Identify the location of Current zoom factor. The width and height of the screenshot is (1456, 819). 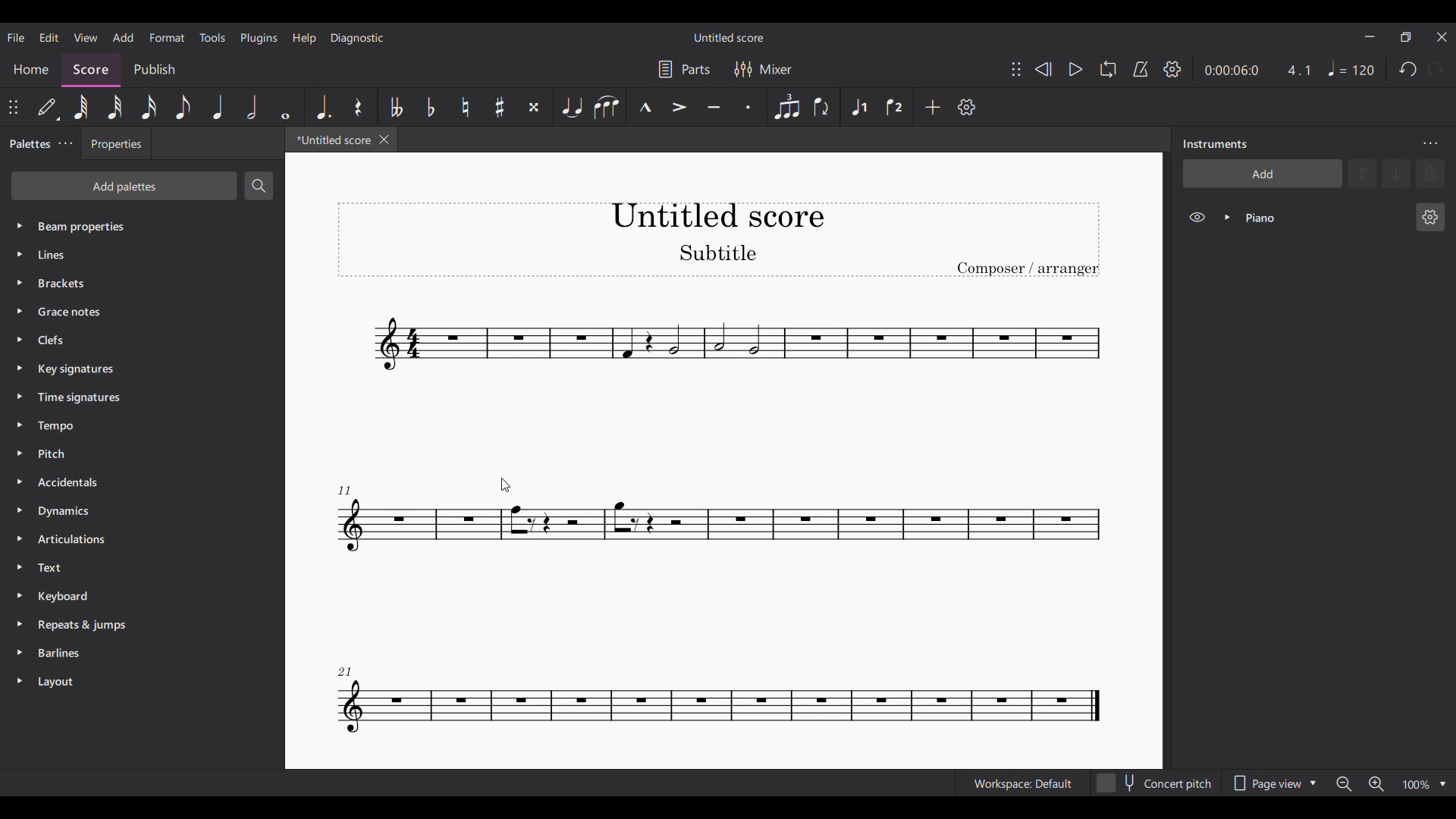
(1417, 784).